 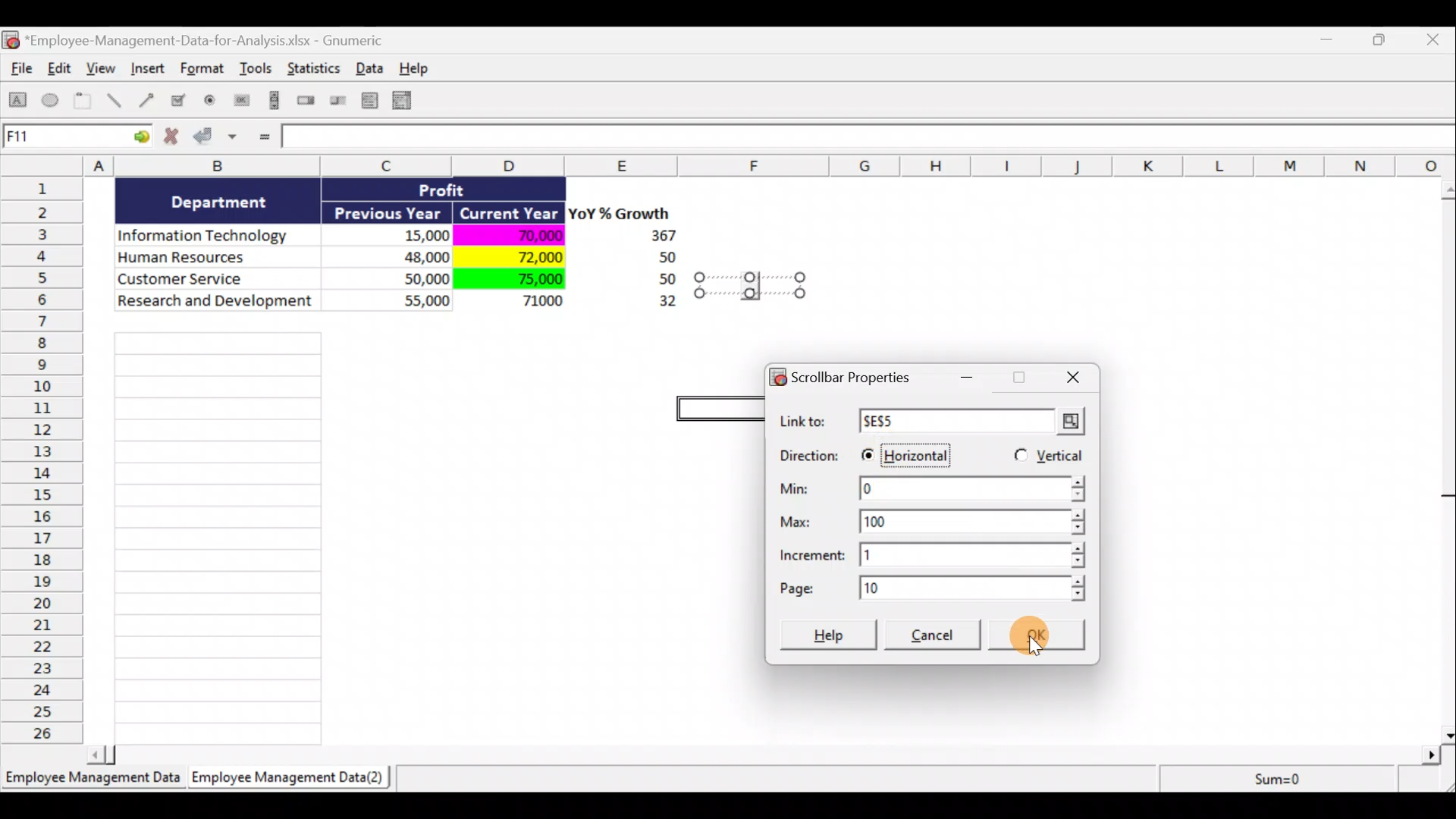 What do you see at coordinates (218, 534) in the screenshot?
I see `Cells` at bounding box center [218, 534].